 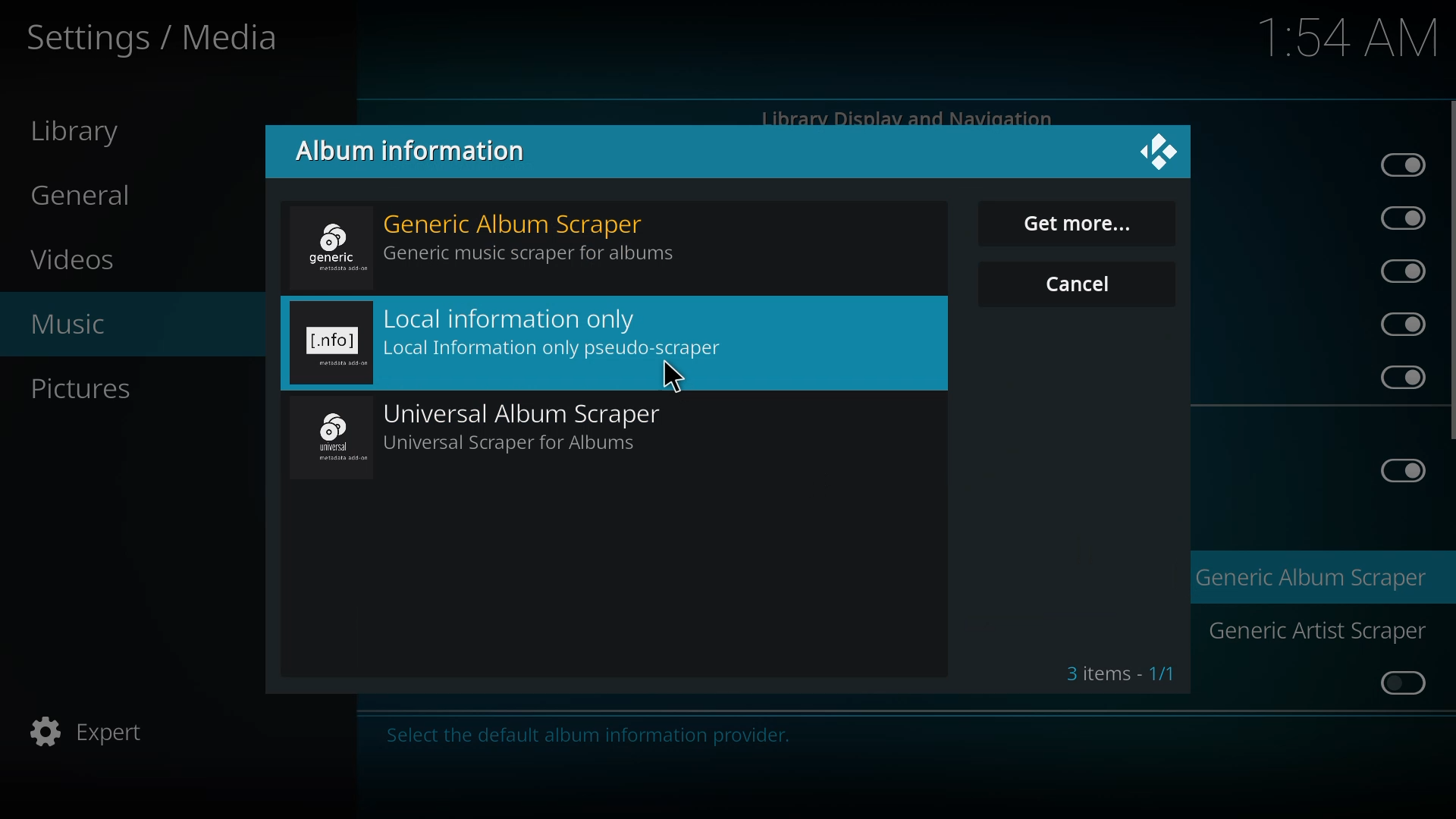 What do you see at coordinates (94, 196) in the screenshot?
I see `general` at bounding box center [94, 196].